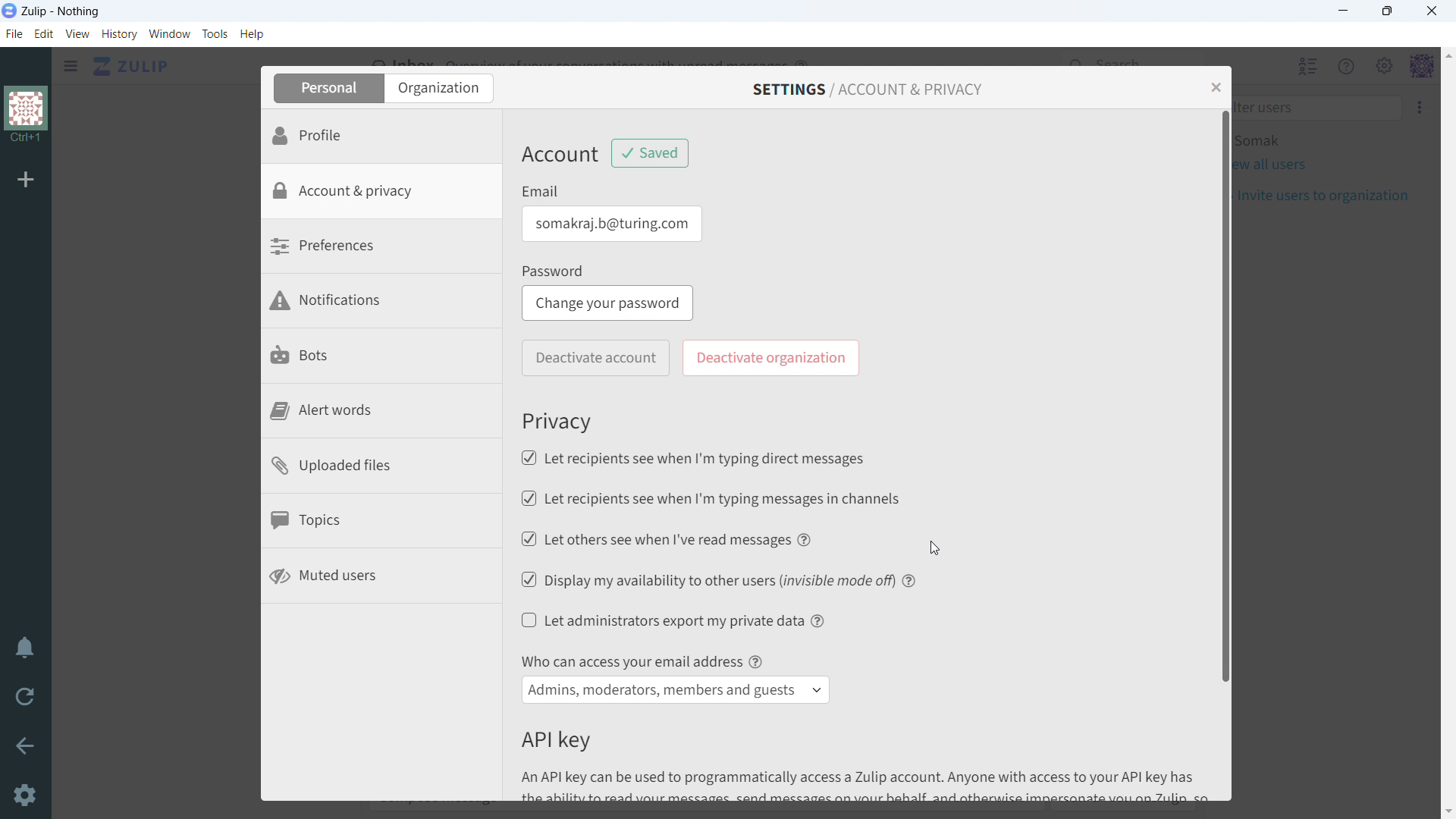 Image resolution: width=1456 pixels, height=819 pixels. I want to click on topics, so click(380, 522).